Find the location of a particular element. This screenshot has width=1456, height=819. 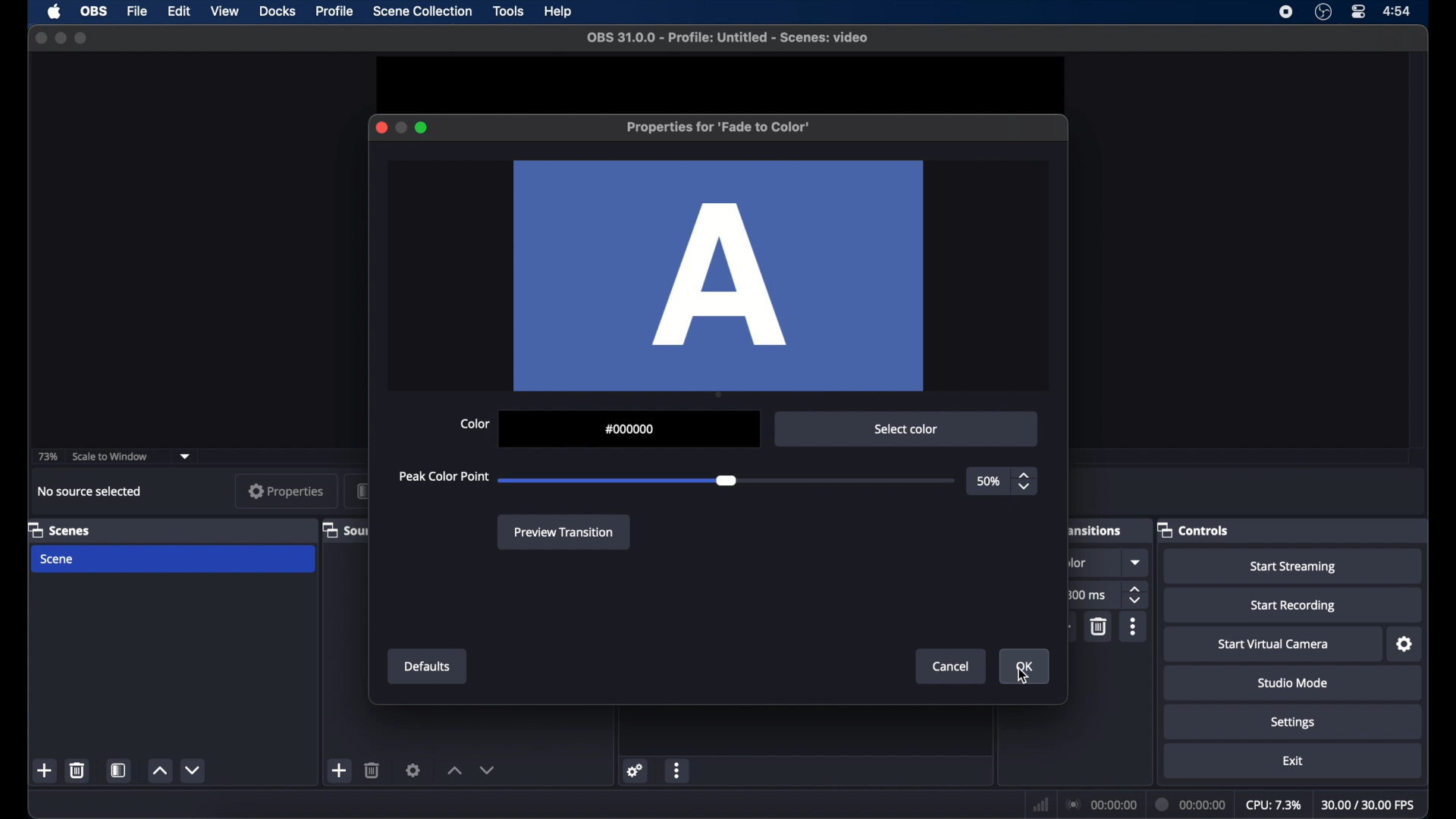

file name is located at coordinates (728, 38).